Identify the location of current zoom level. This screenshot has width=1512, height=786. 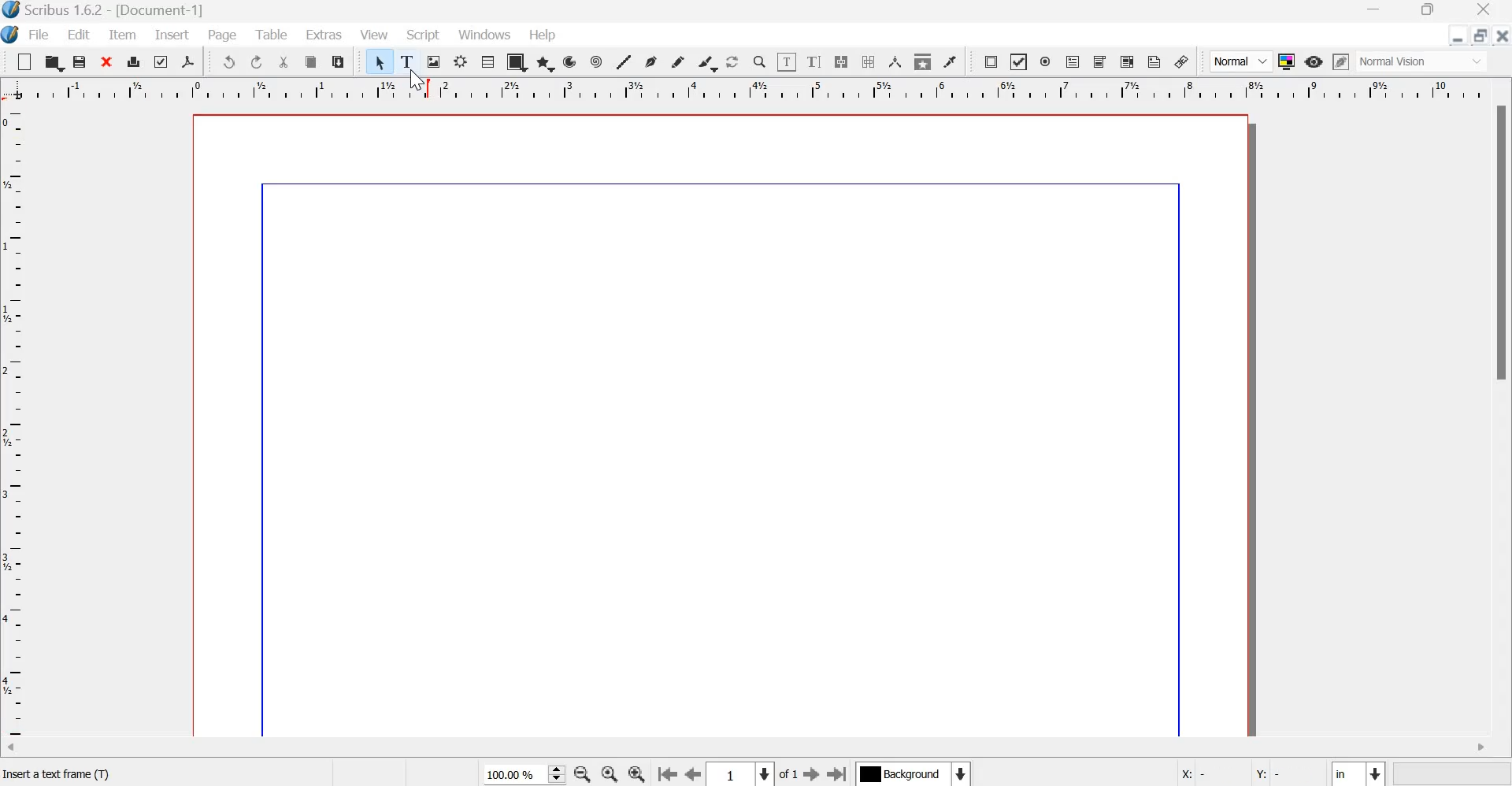
(524, 775).